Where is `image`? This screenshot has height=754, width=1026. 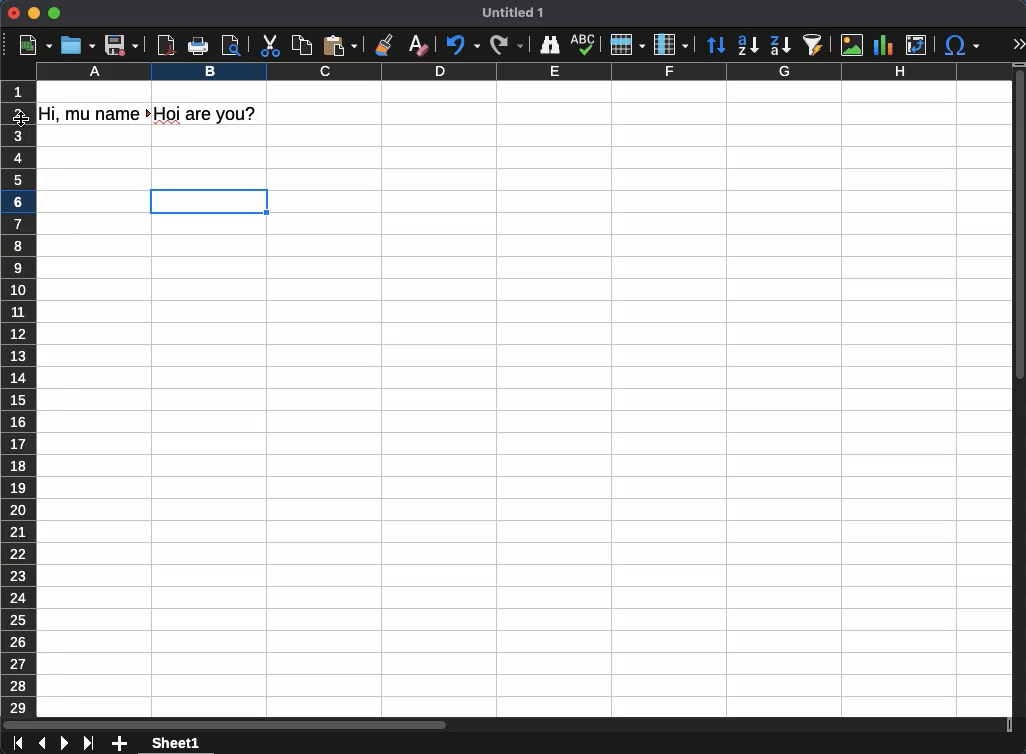 image is located at coordinates (855, 46).